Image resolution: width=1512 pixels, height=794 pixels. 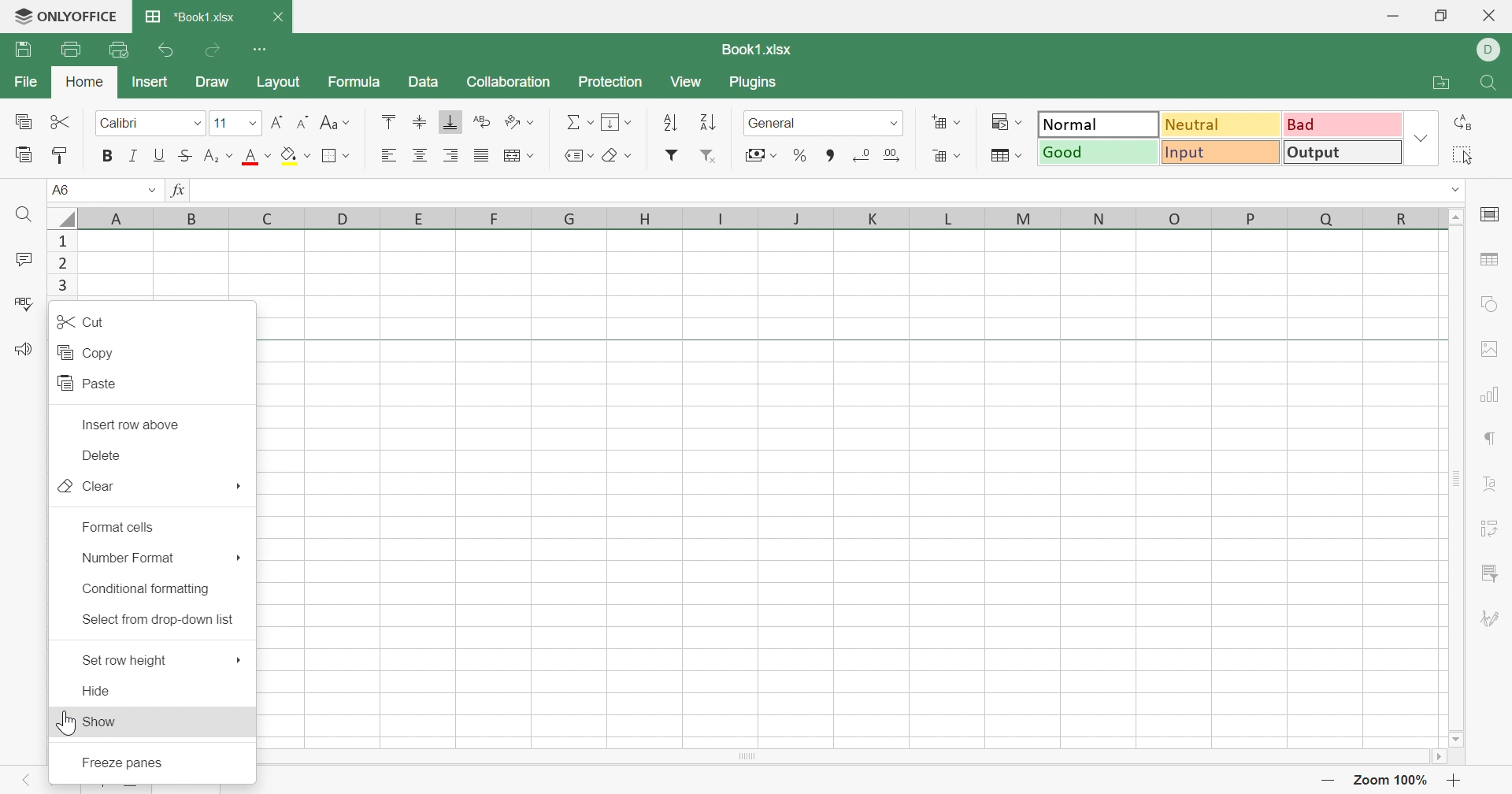 I want to click on Save, so click(x=23, y=49).